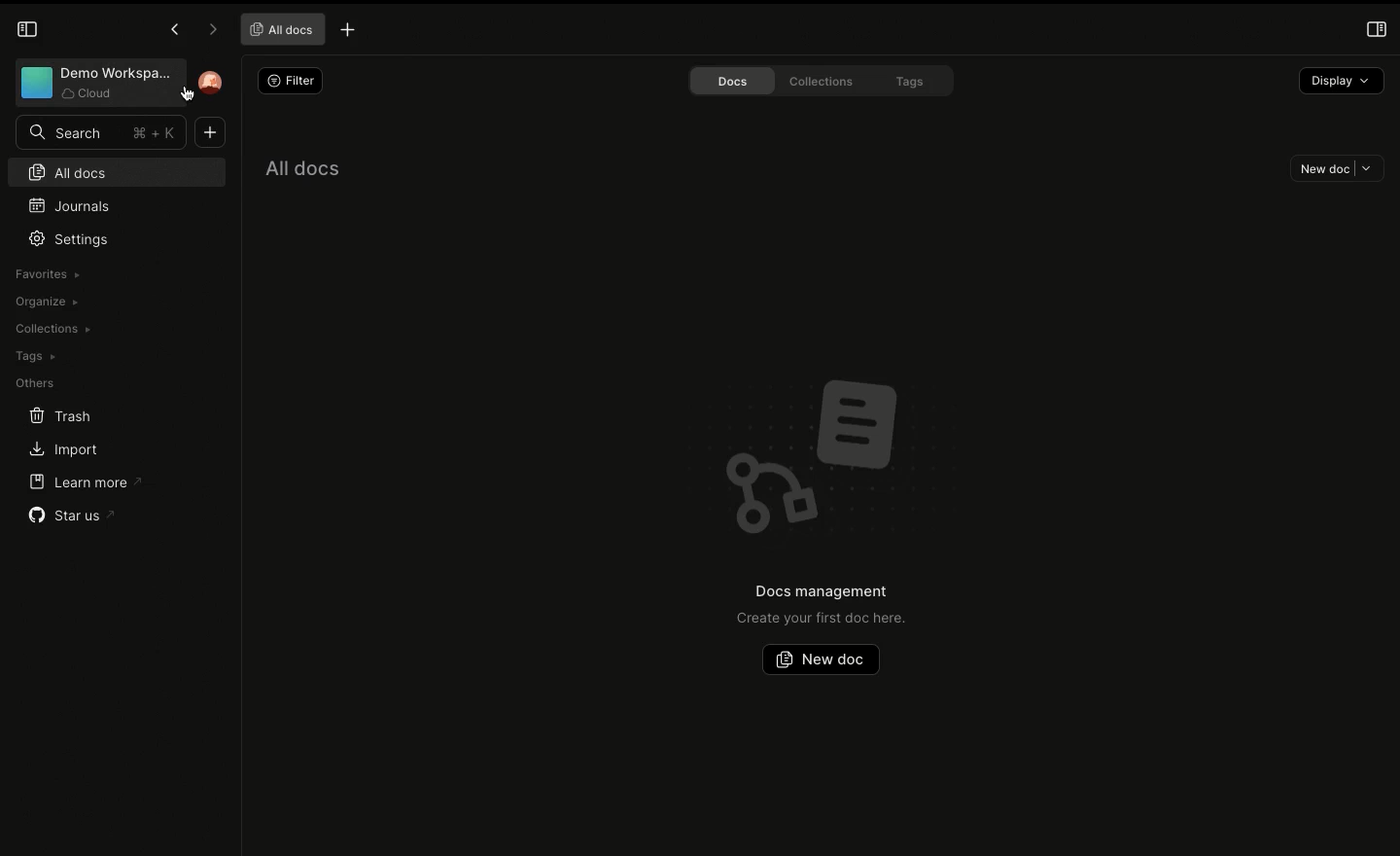 Image resolution: width=1400 pixels, height=856 pixels. I want to click on Create your first doc here, so click(822, 618).